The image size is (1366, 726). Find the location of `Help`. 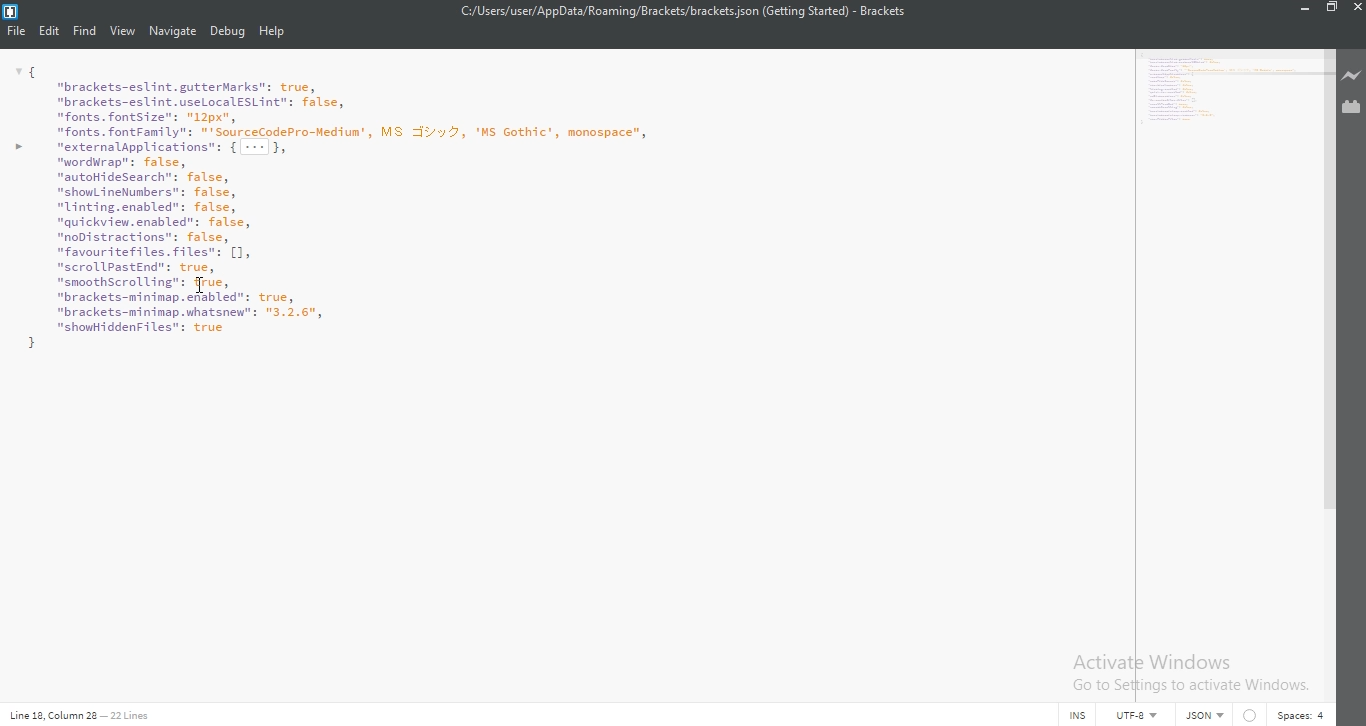

Help is located at coordinates (274, 33).